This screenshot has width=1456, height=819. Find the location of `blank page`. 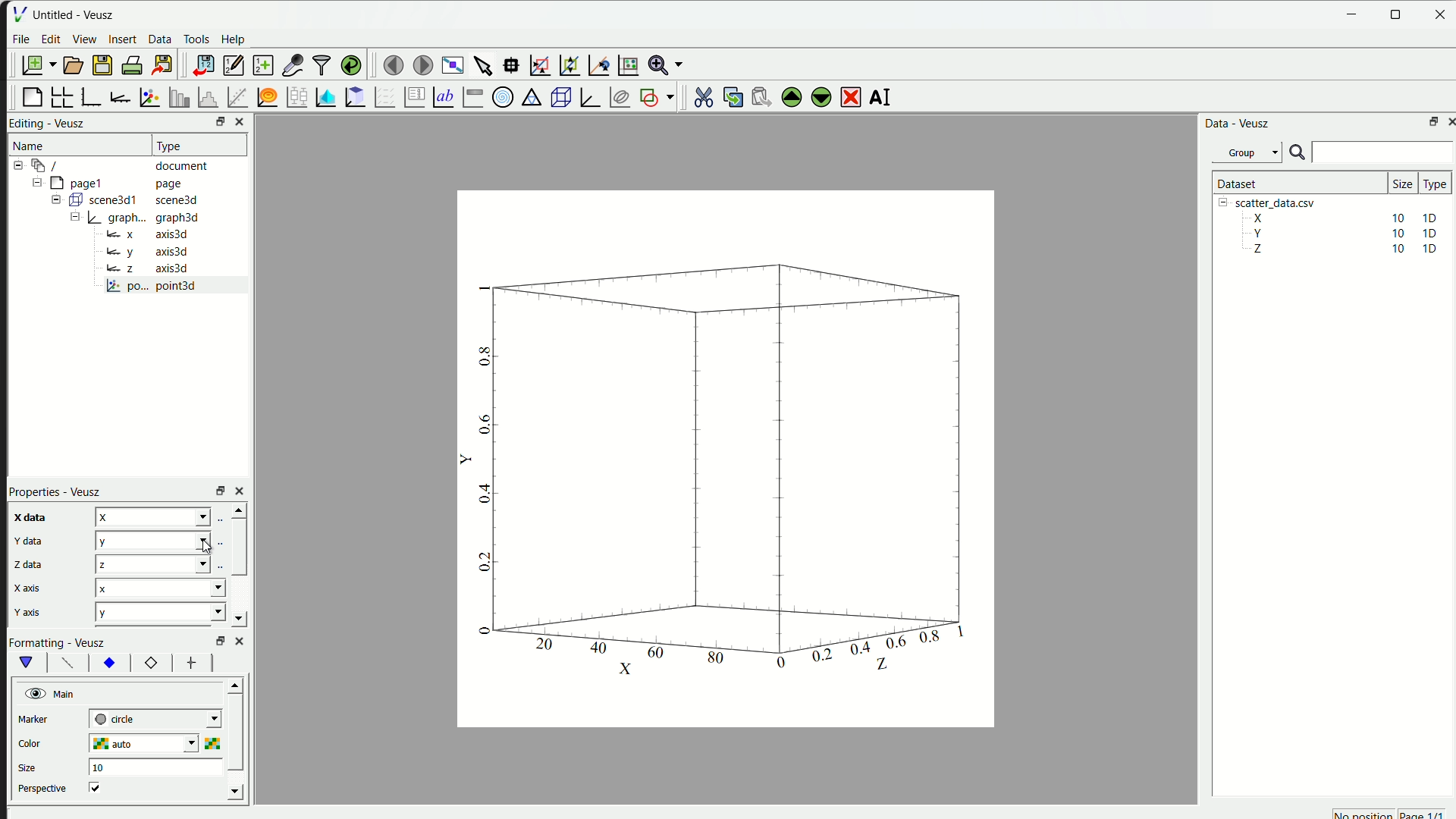

blank page is located at coordinates (28, 98).